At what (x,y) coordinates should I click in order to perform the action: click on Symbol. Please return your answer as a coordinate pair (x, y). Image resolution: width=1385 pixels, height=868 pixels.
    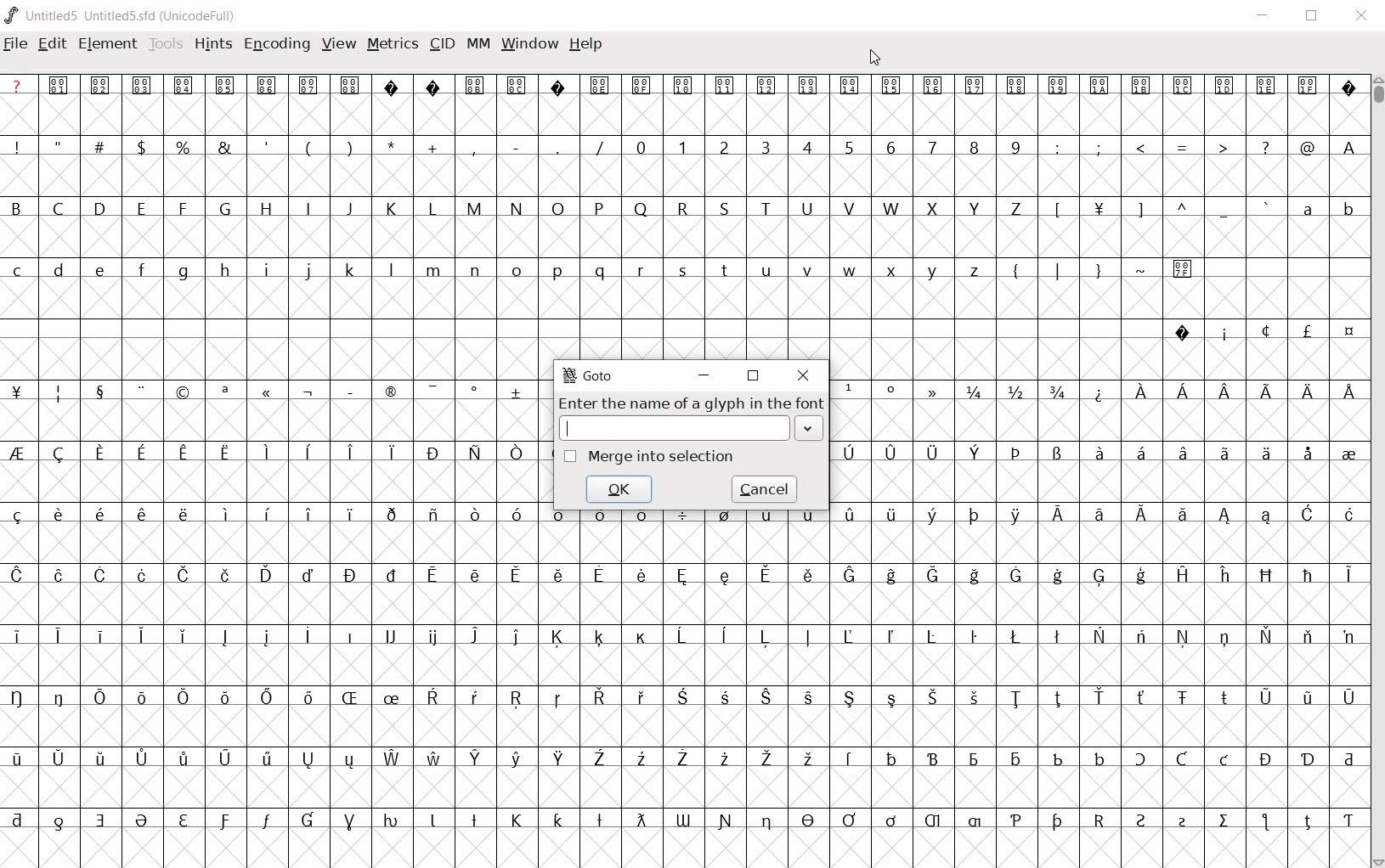
    Looking at the image, I should click on (975, 821).